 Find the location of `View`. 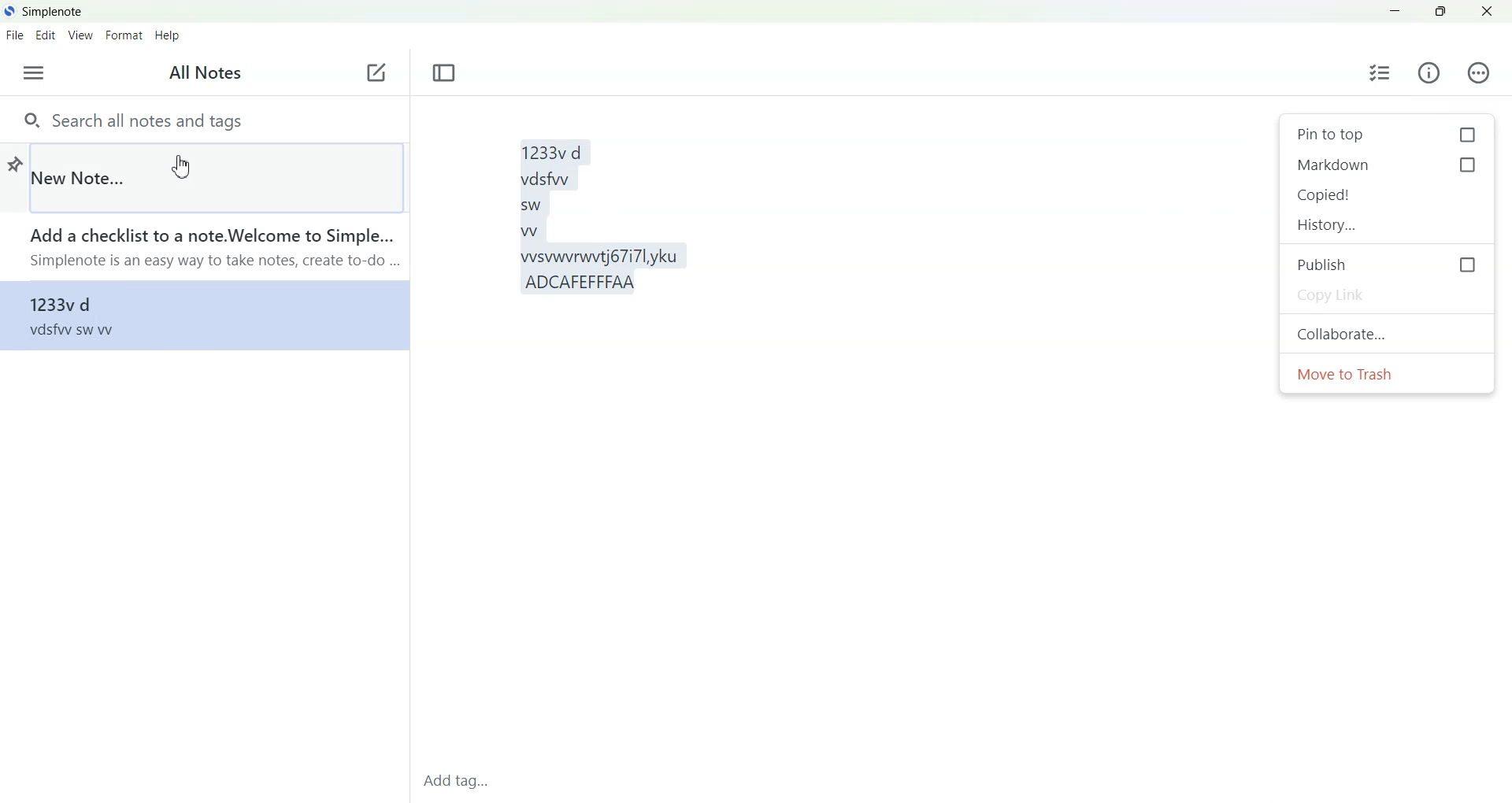

View is located at coordinates (79, 36).